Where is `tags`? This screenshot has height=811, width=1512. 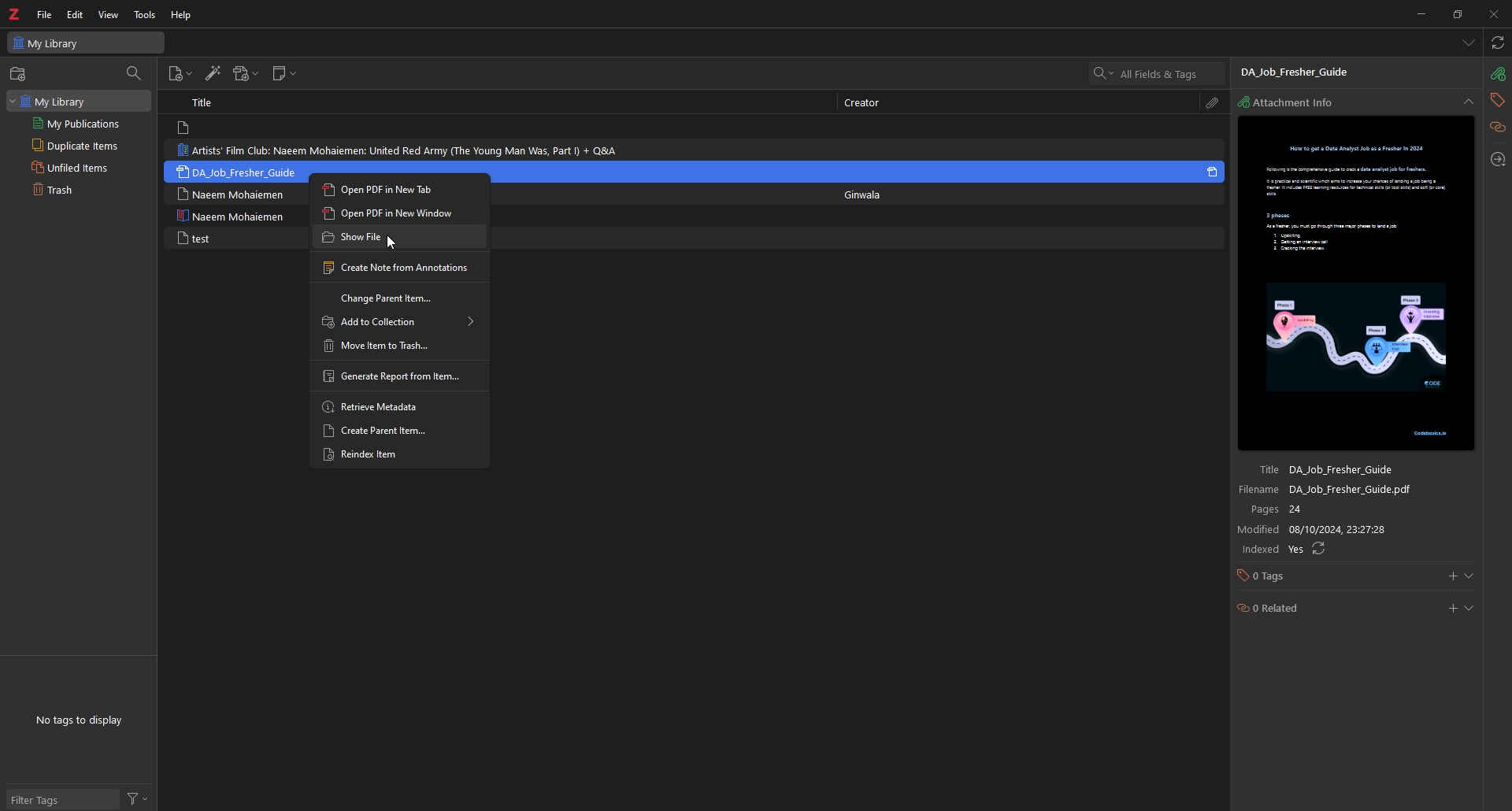
tags is located at coordinates (1316, 578).